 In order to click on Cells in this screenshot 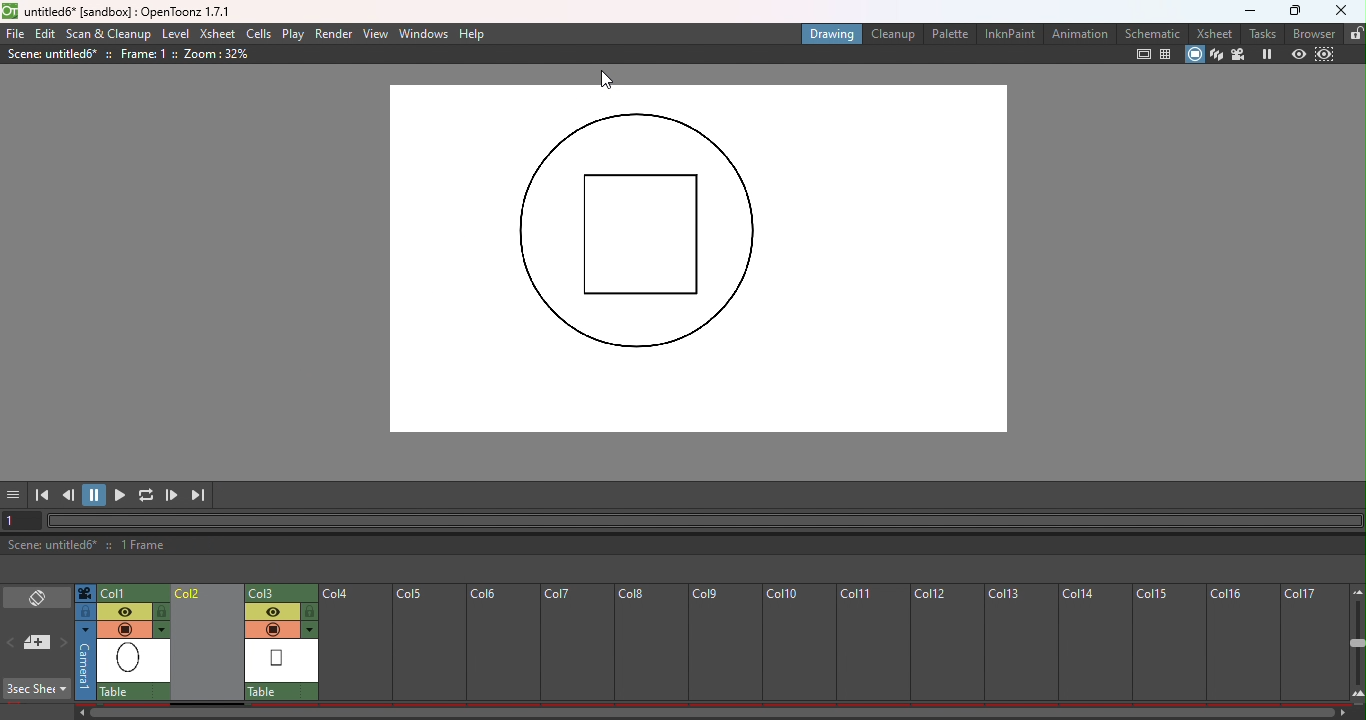, I will do `click(259, 34)`.